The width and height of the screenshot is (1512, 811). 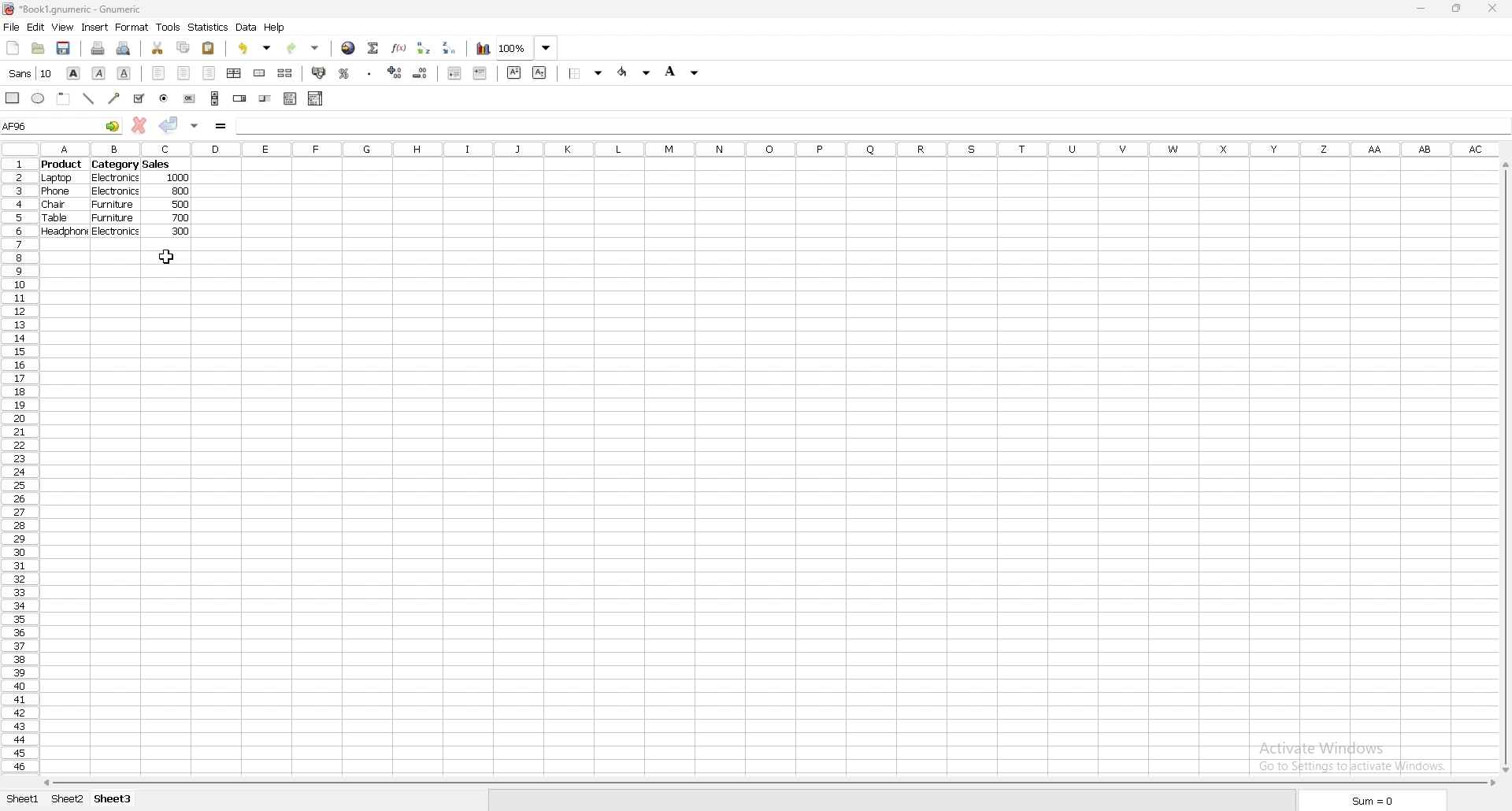 I want to click on file name, so click(x=73, y=9).